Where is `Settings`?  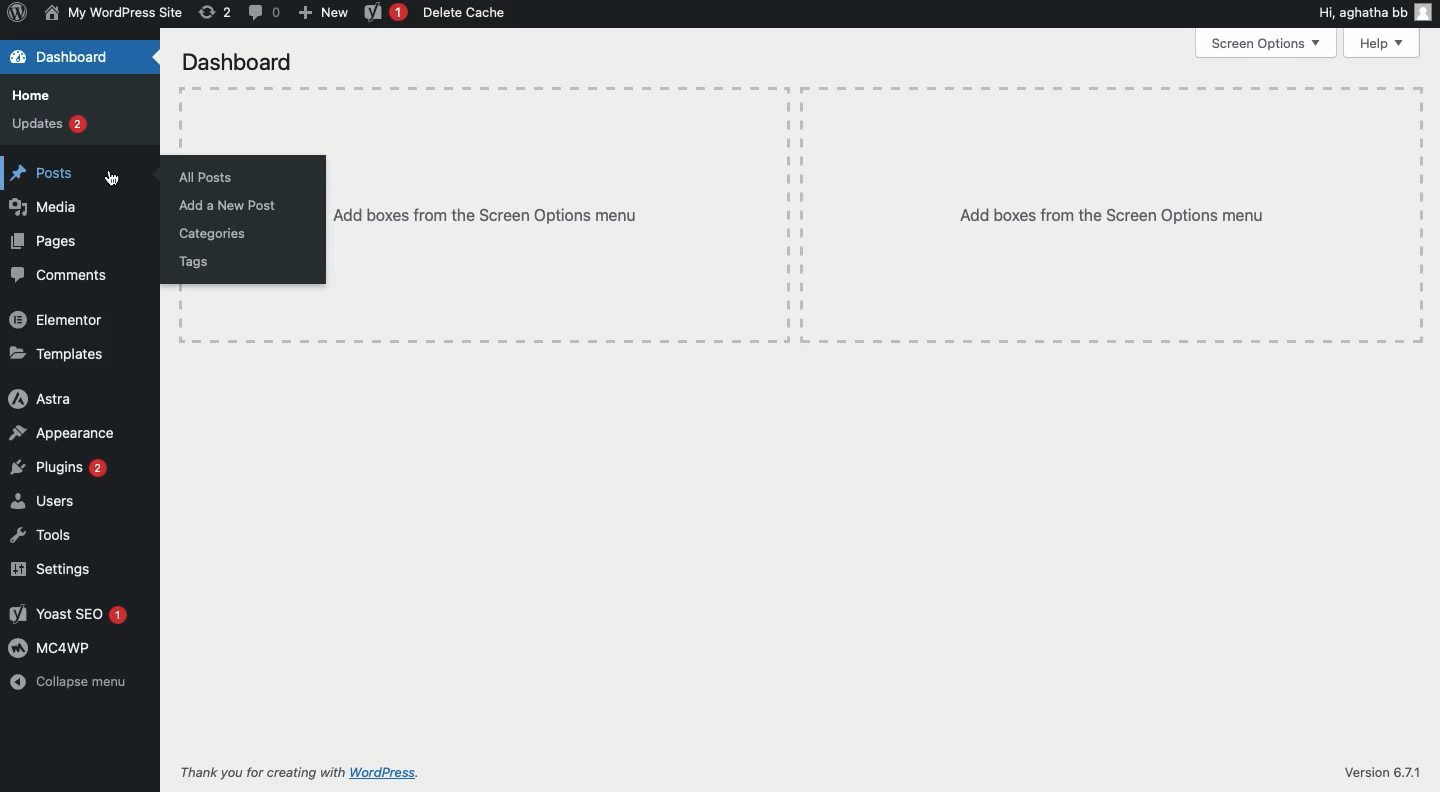
Settings is located at coordinates (50, 568).